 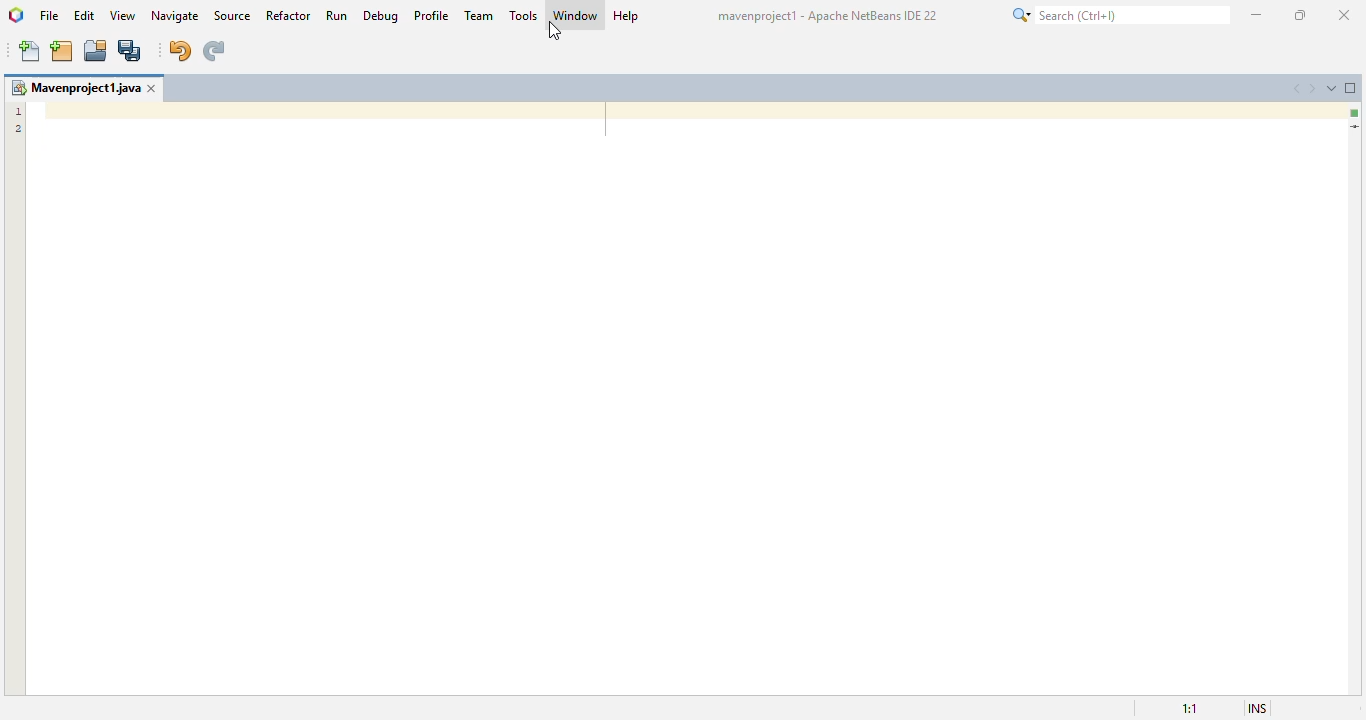 What do you see at coordinates (479, 15) in the screenshot?
I see `team` at bounding box center [479, 15].